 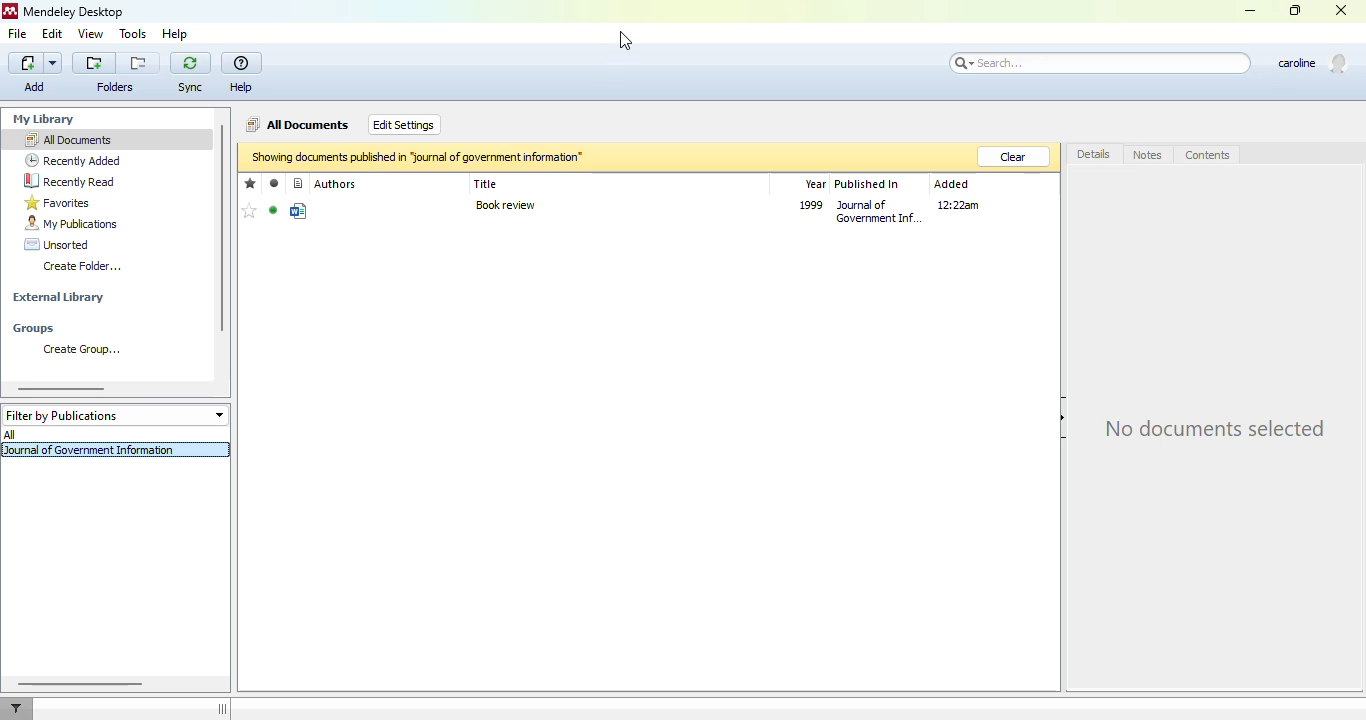 What do you see at coordinates (1147, 155) in the screenshot?
I see `notes` at bounding box center [1147, 155].